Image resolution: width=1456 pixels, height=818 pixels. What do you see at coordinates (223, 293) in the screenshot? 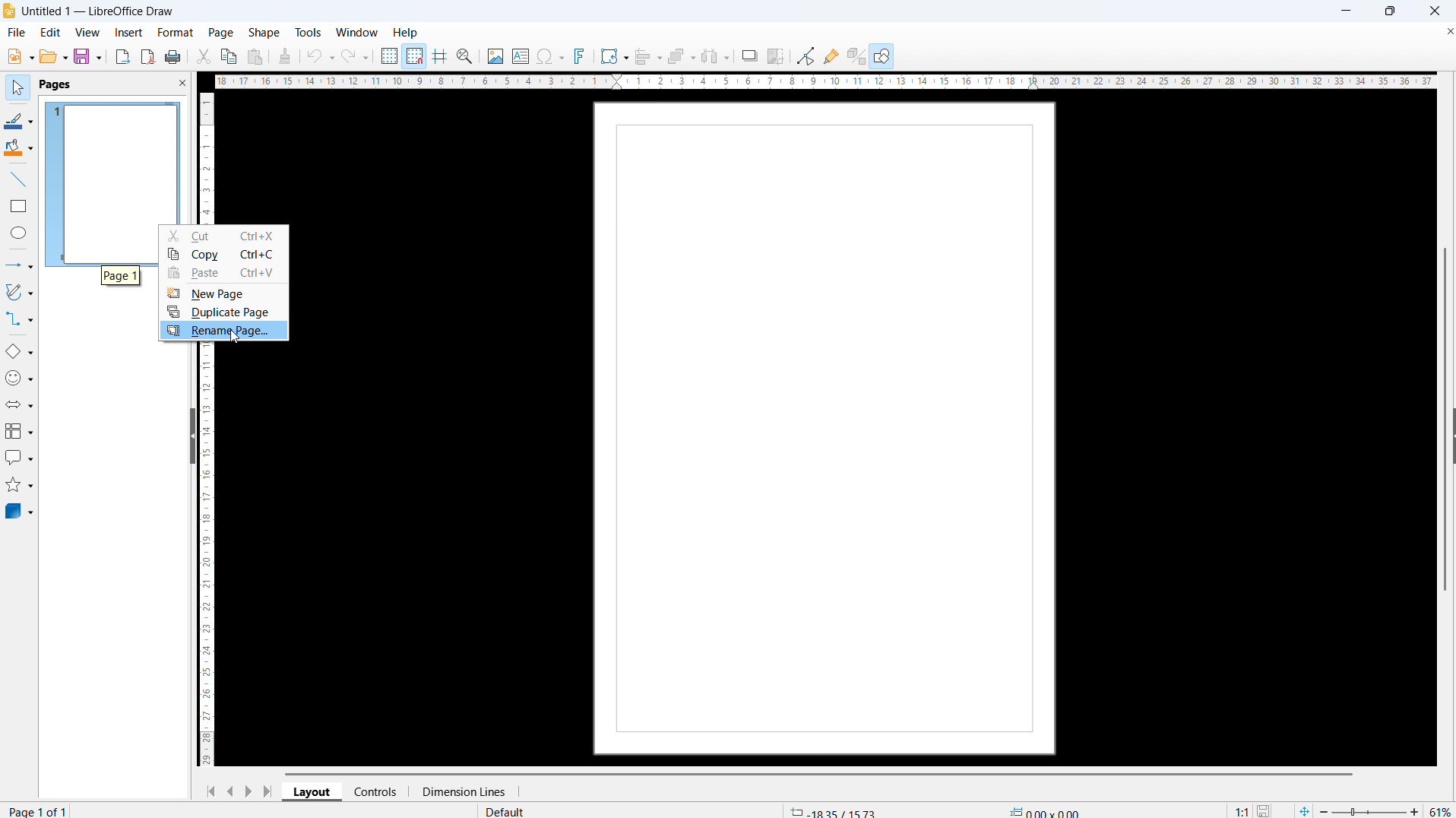
I see `new page` at bounding box center [223, 293].